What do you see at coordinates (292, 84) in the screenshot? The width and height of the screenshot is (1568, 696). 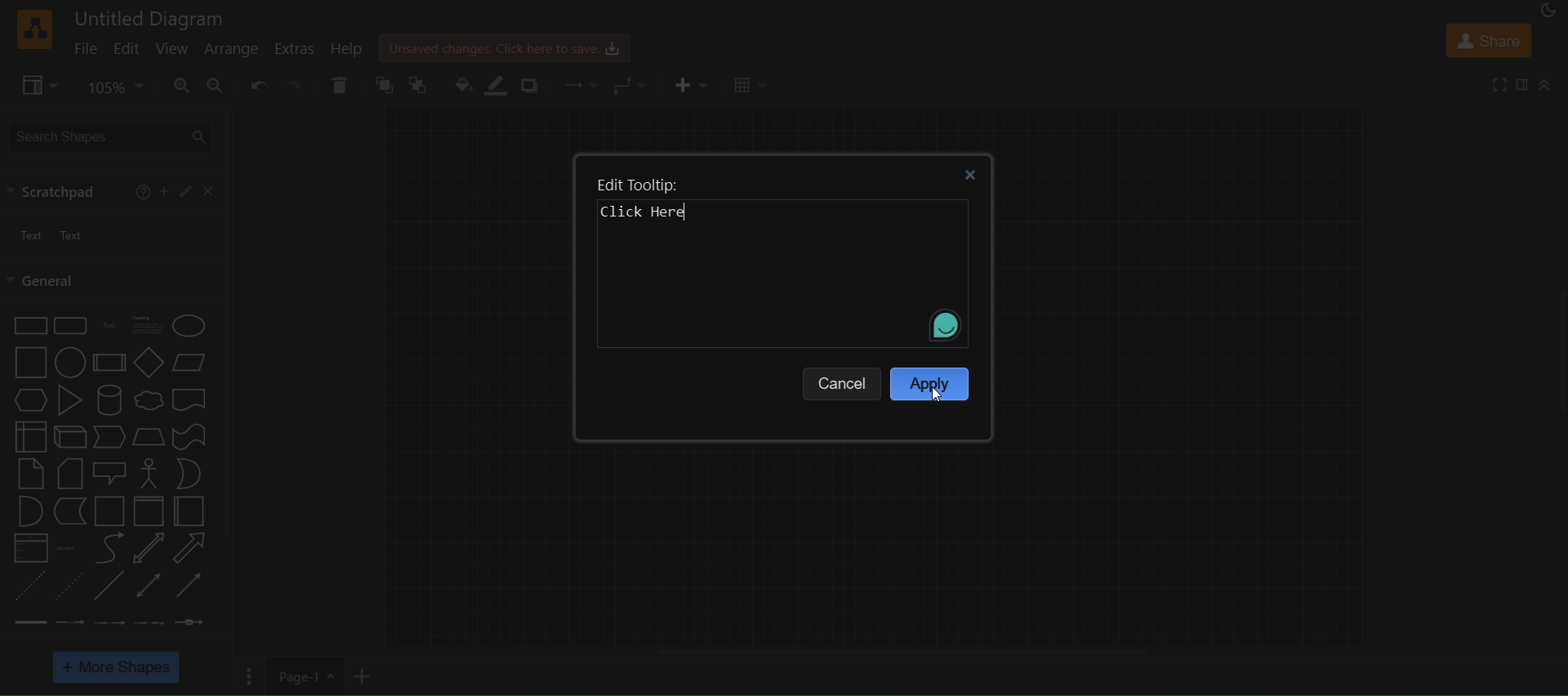 I see `redo` at bounding box center [292, 84].